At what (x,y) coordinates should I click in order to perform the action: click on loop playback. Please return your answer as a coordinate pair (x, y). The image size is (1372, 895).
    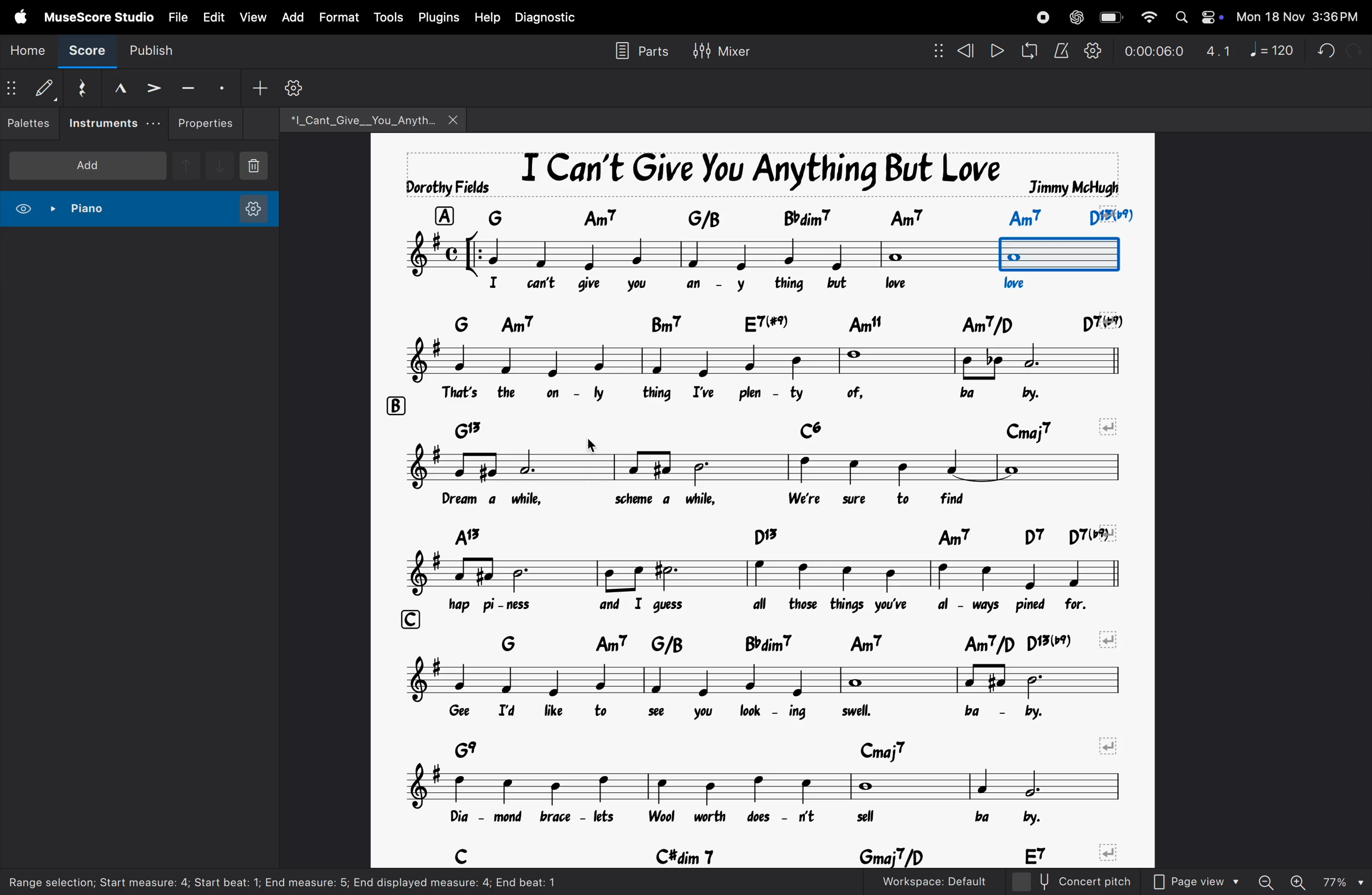
    Looking at the image, I should click on (1030, 51).